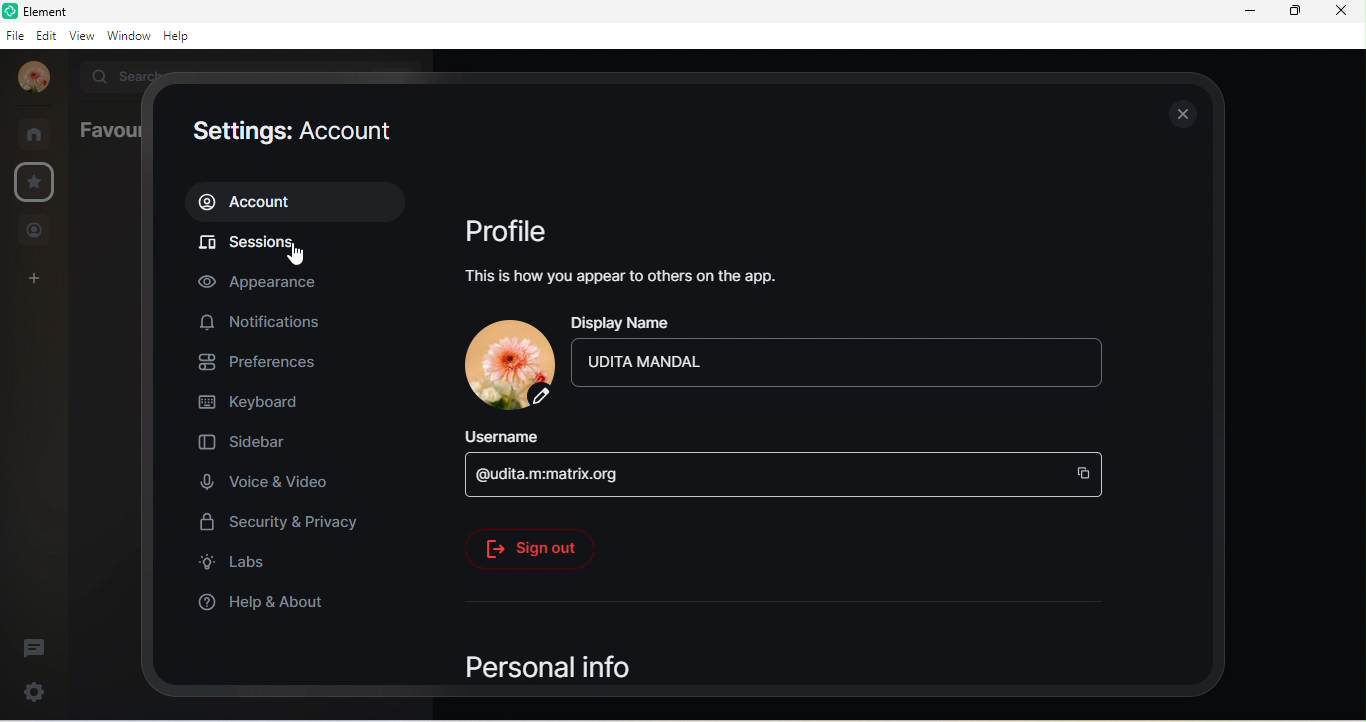 The width and height of the screenshot is (1366, 722). Describe the element at coordinates (515, 436) in the screenshot. I see `username` at that location.